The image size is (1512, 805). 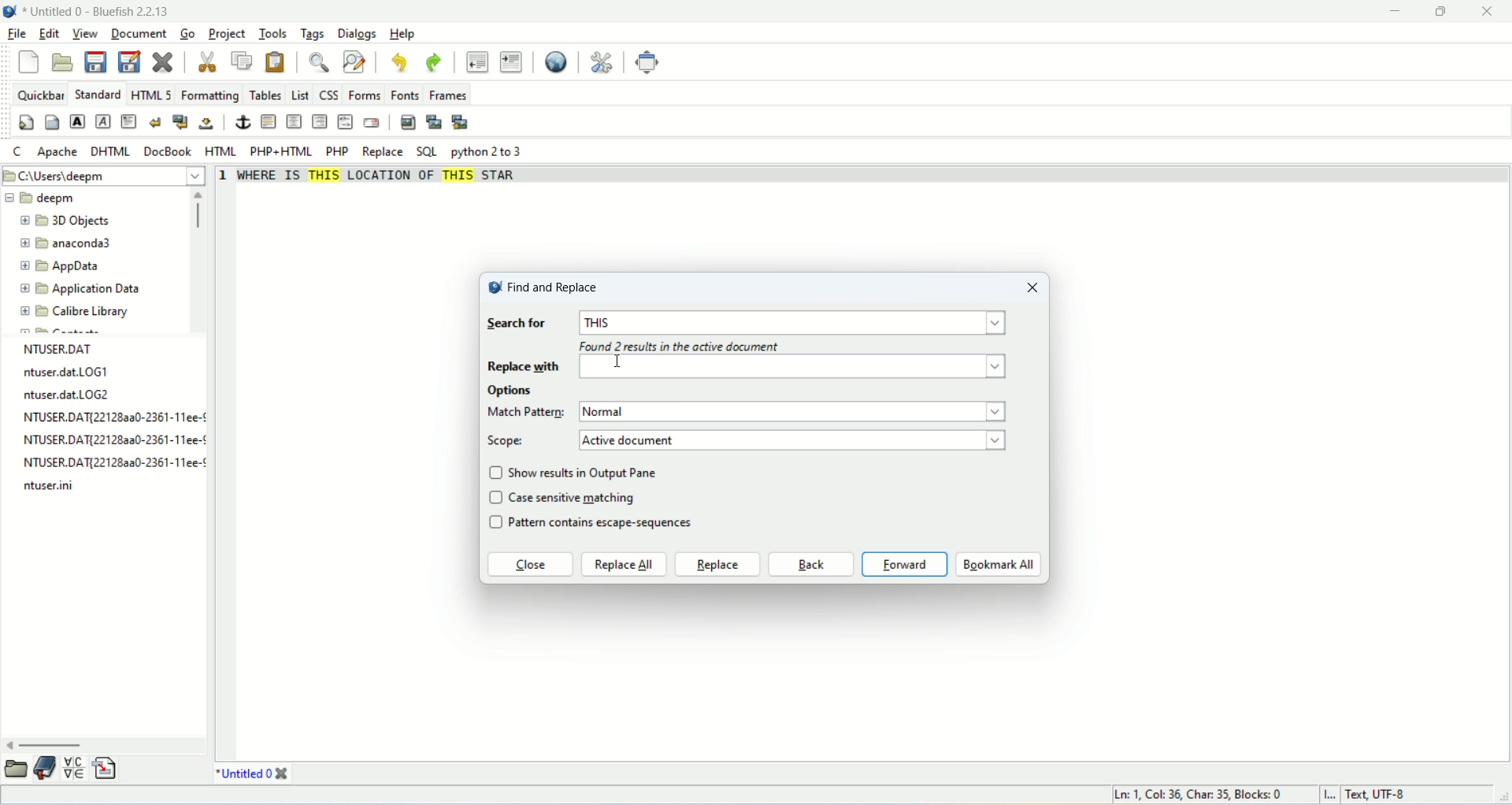 What do you see at coordinates (1399, 10) in the screenshot?
I see `minimize` at bounding box center [1399, 10].